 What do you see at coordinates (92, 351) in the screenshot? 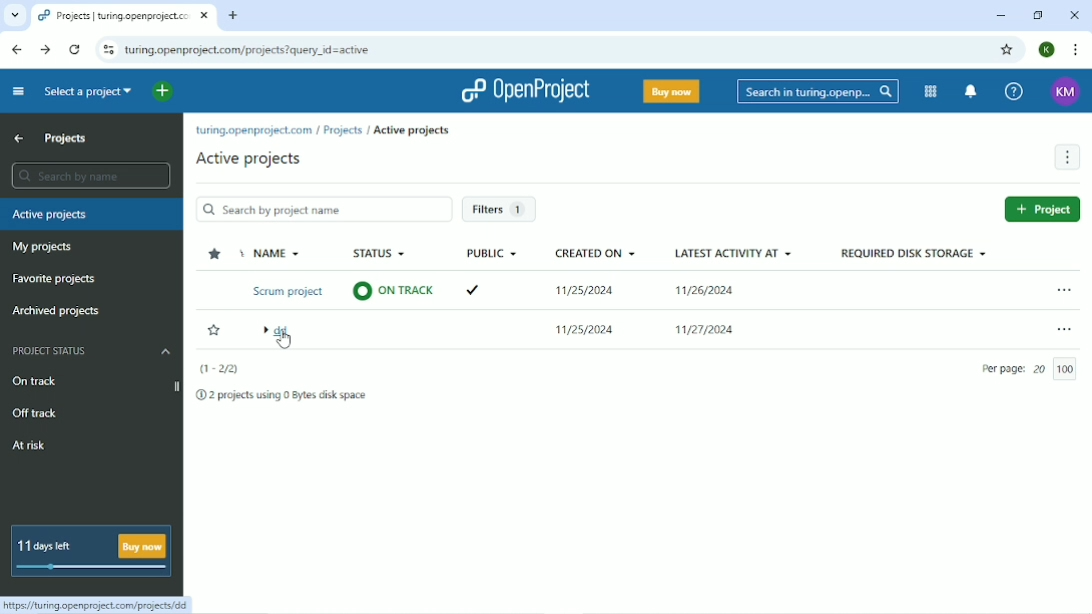
I see `Project status` at bounding box center [92, 351].